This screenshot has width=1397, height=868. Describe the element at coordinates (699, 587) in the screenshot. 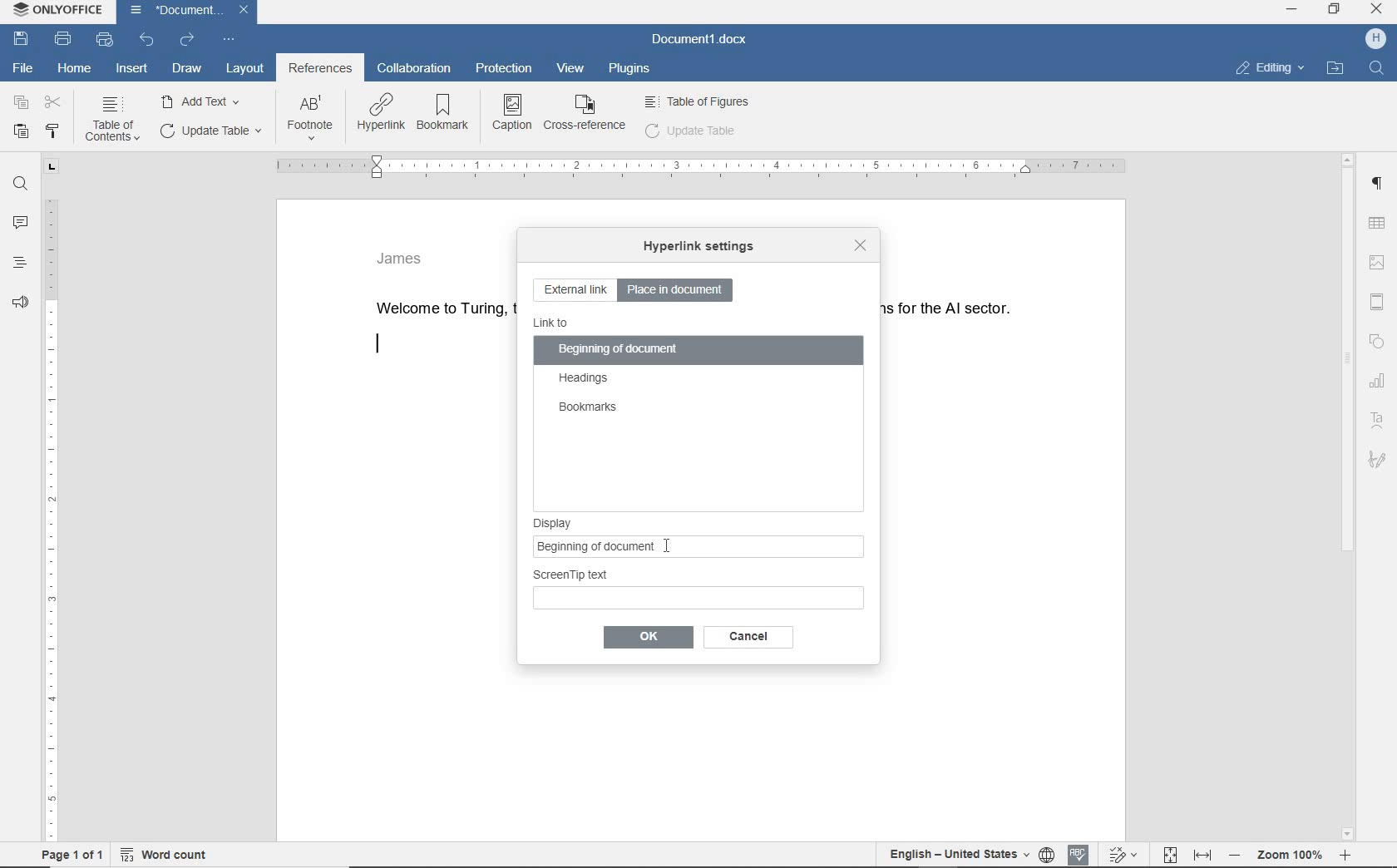

I see `Screen Tip Text` at that location.